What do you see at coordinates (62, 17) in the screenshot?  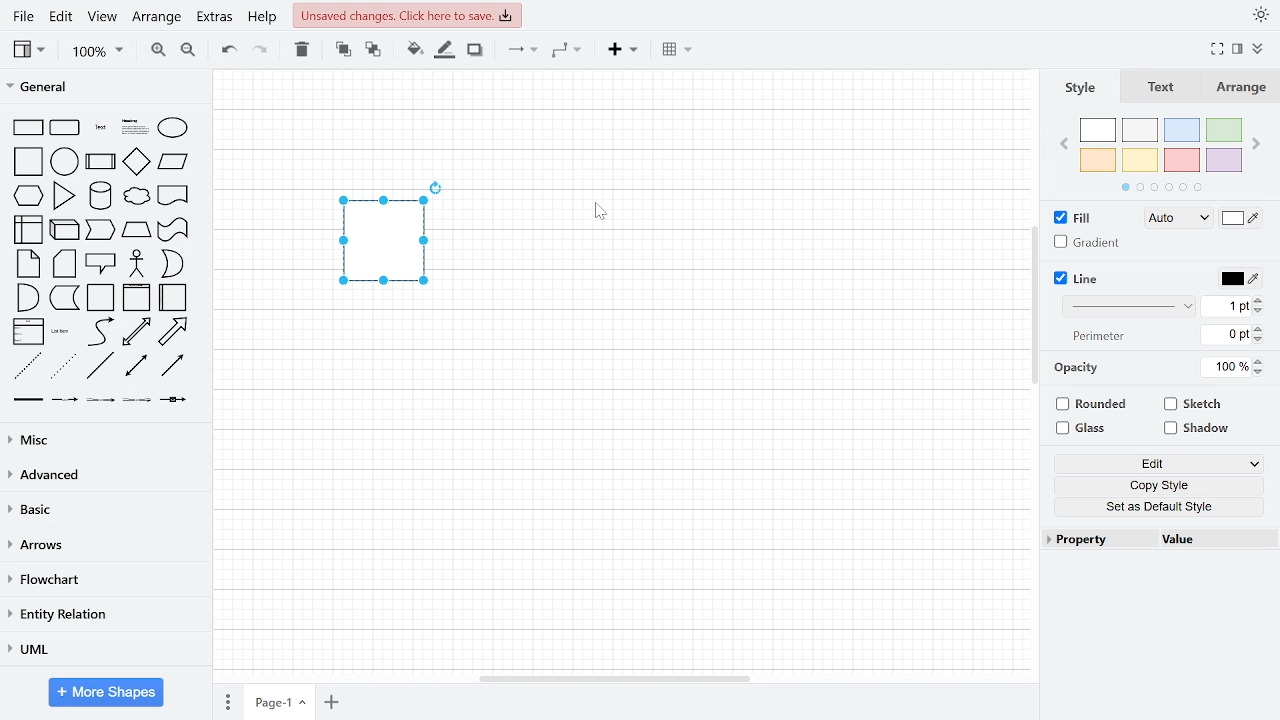 I see `edit` at bounding box center [62, 17].